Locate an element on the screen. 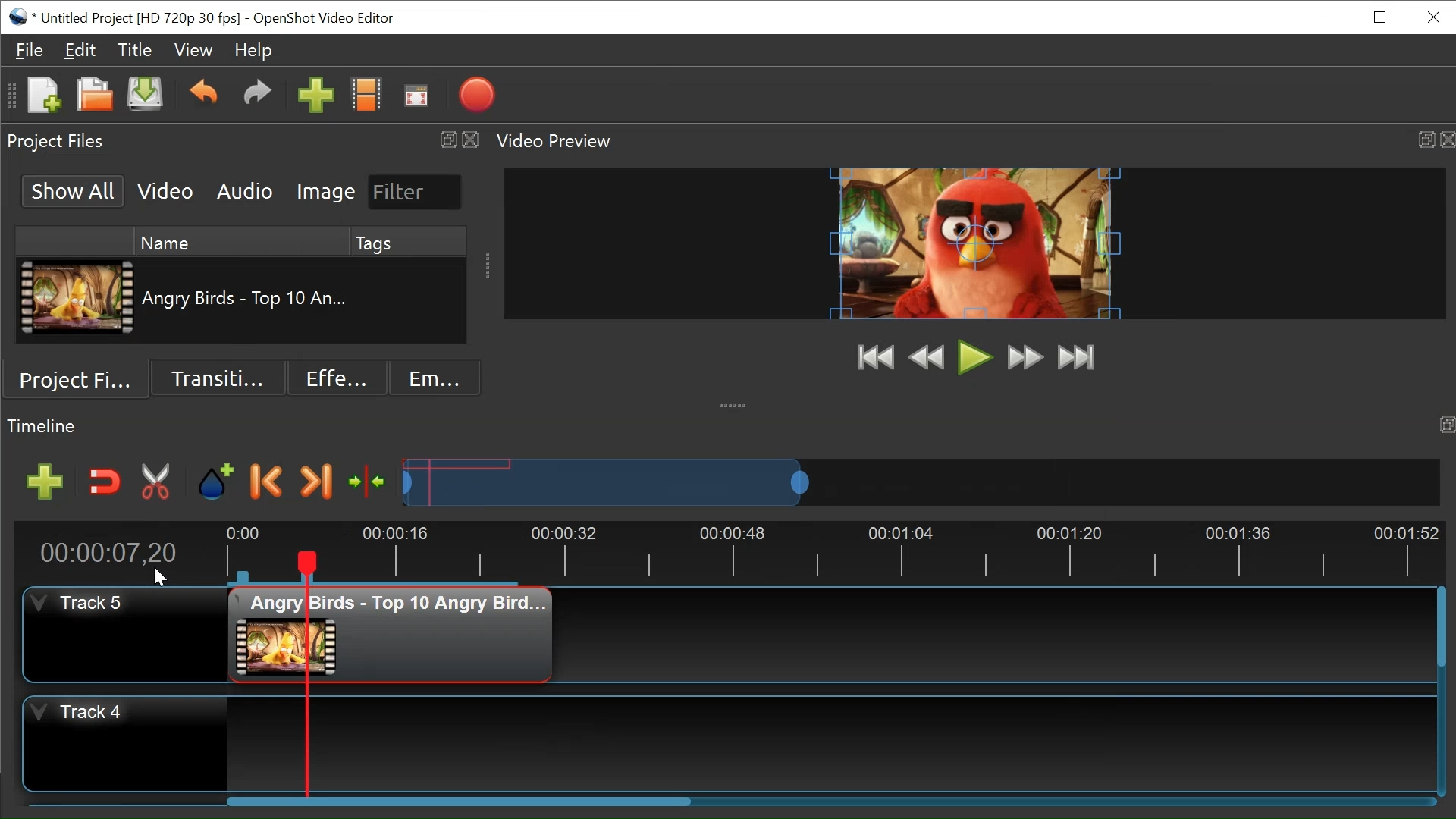 The image size is (1456, 819). Fullscreen is located at coordinates (415, 96).